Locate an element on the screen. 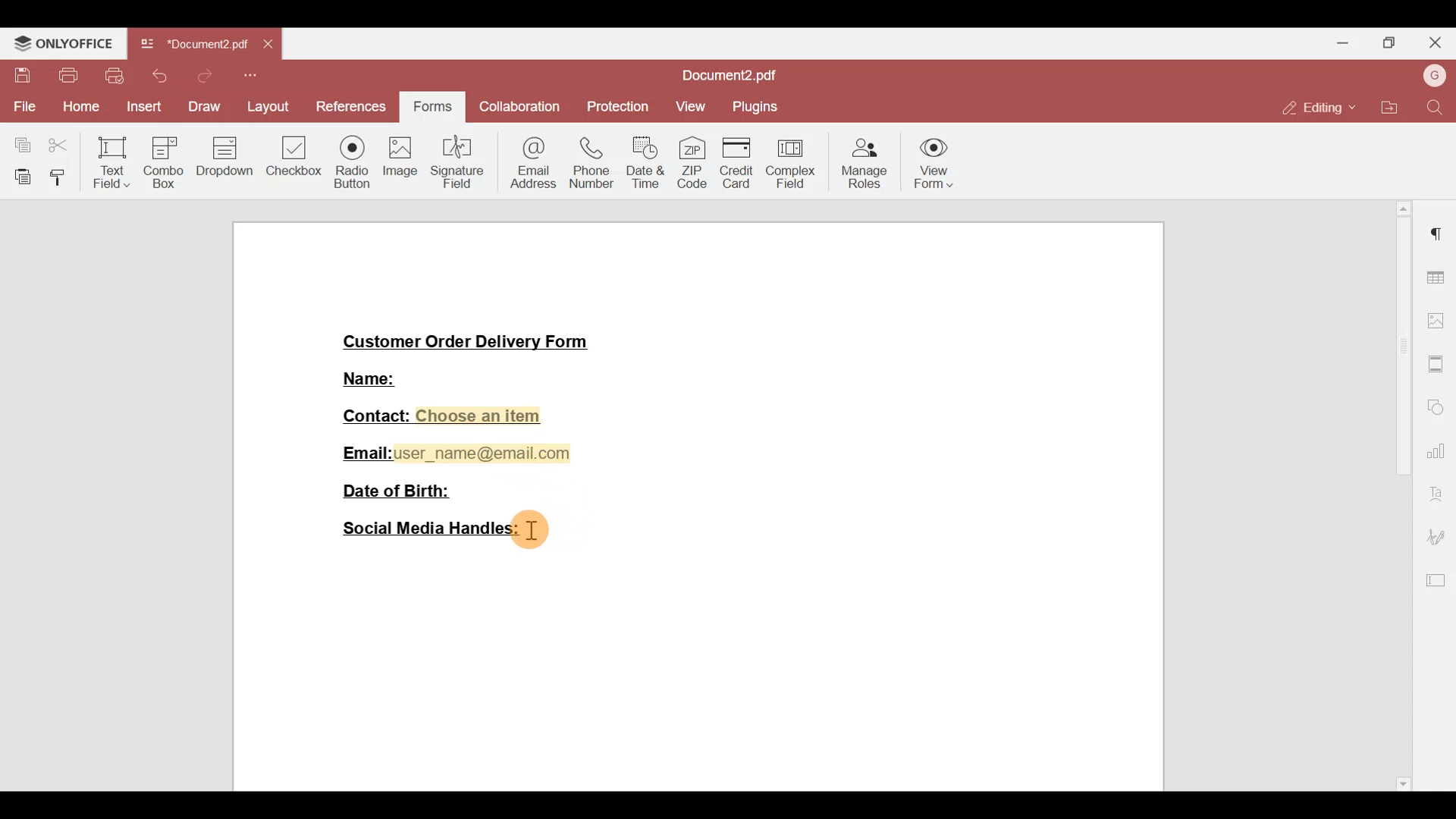 The image size is (1456, 819). Manage roles is located at coordinates (866, 161).